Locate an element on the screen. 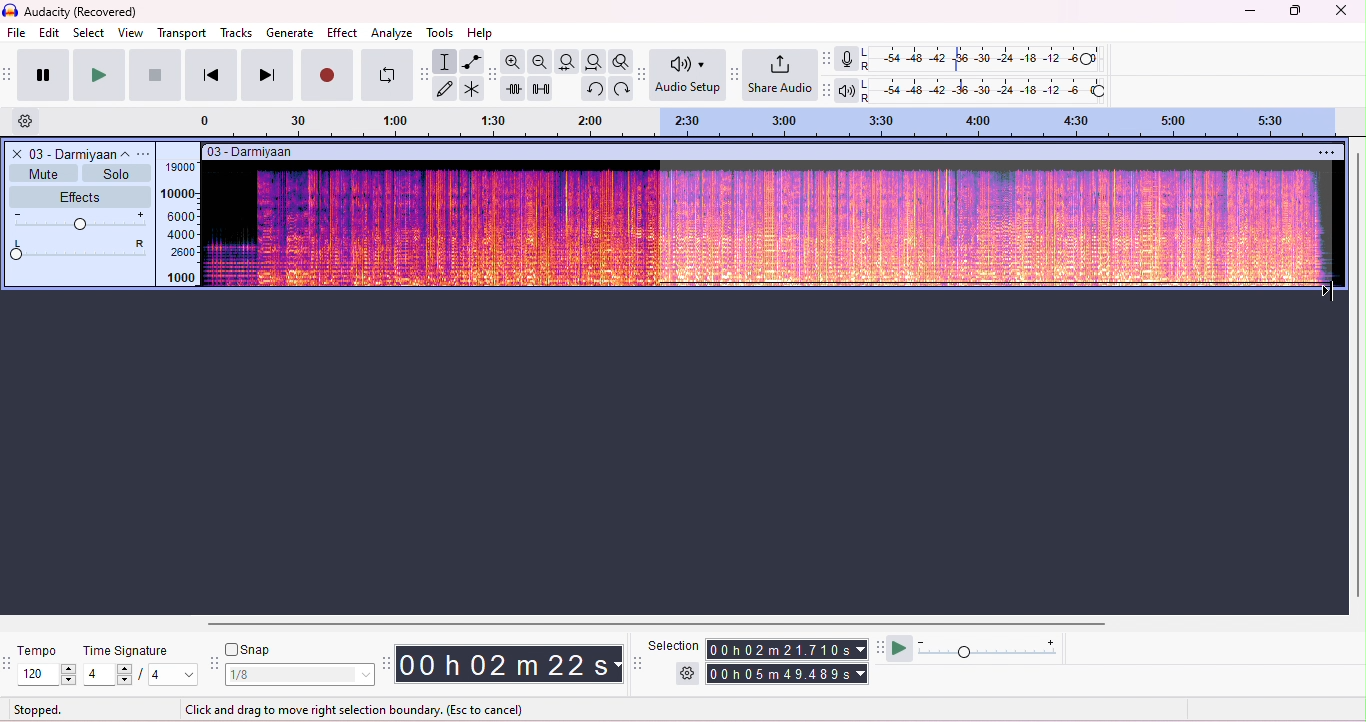 This screenshot has height=722, width=1366. options is located at coordinates (1328, 151).